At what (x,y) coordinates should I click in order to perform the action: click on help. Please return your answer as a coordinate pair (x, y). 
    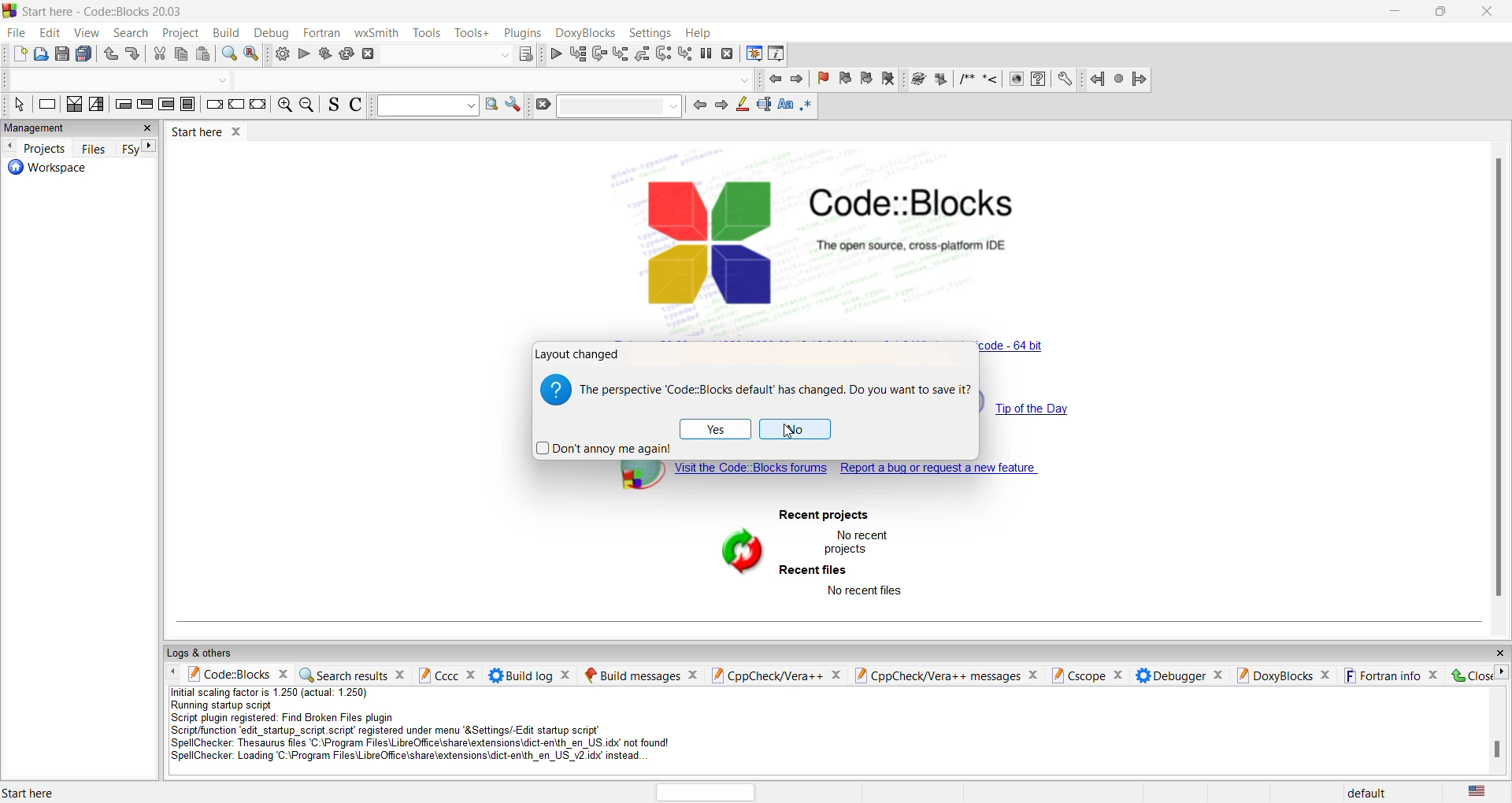
    Looking at the image, I should click on (702, 33).